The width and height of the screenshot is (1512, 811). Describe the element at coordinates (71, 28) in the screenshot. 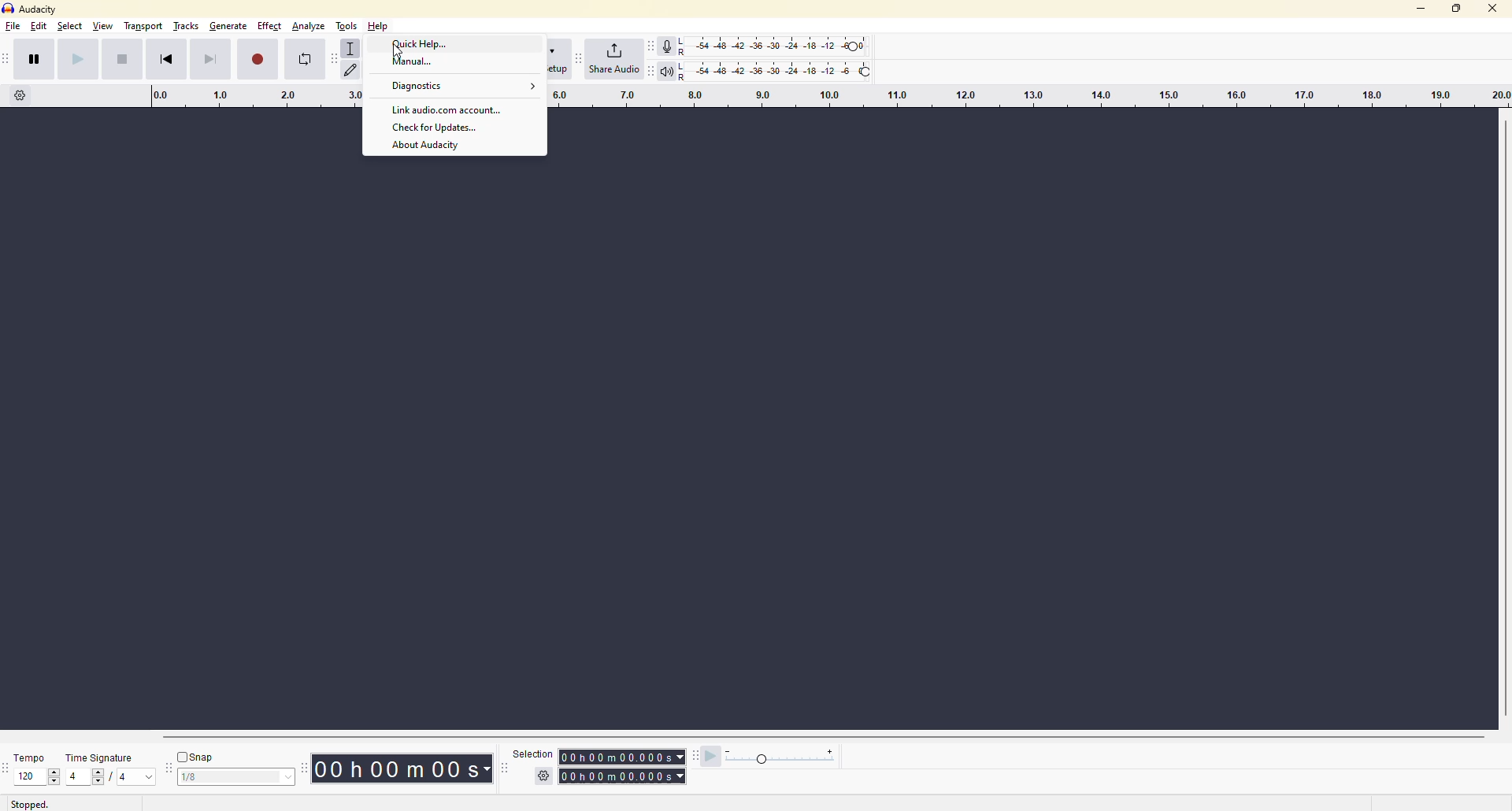

I see `select` at that location.